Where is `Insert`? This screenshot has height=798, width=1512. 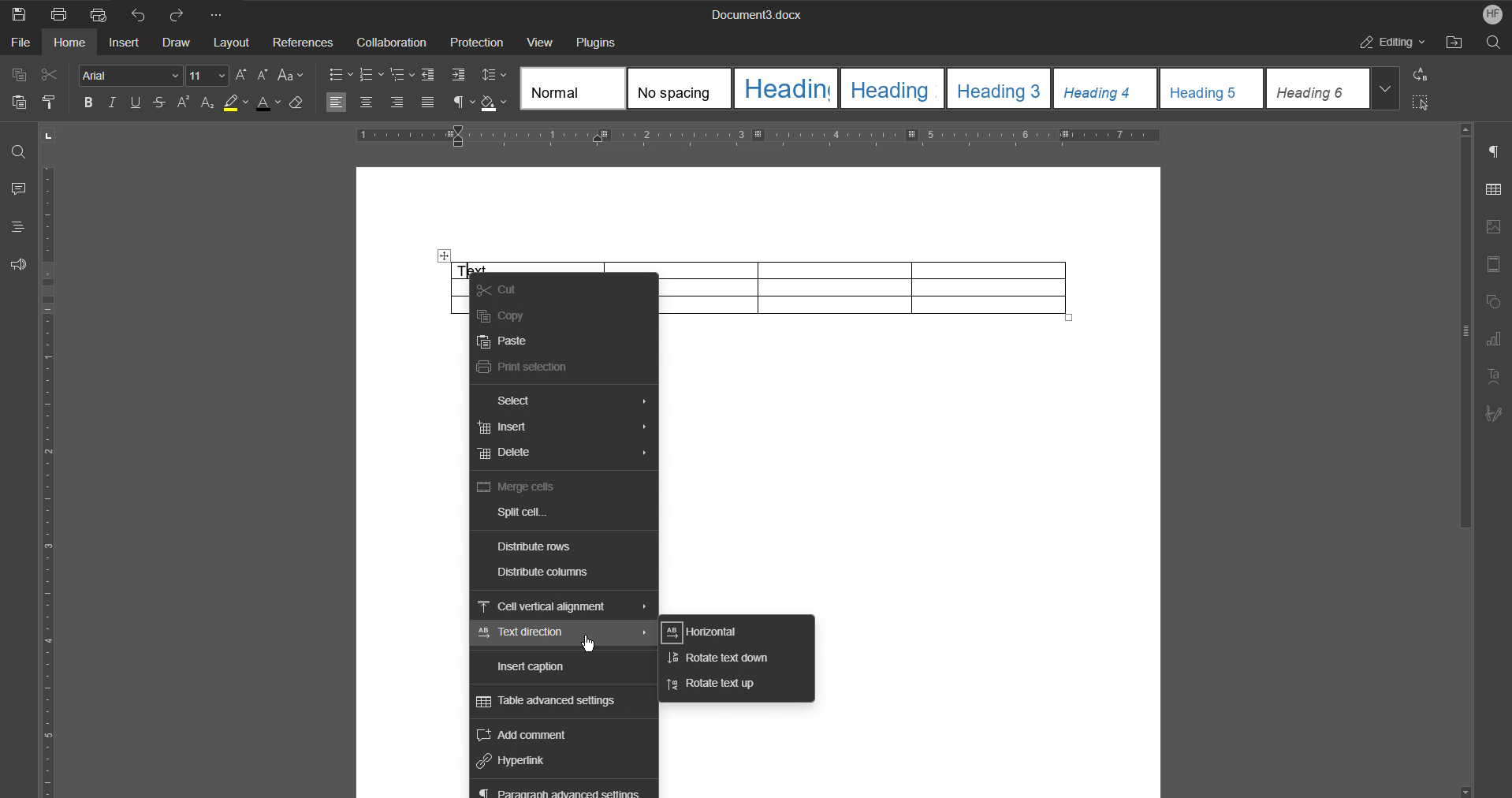 Insert is located at coordinates (507, 428).